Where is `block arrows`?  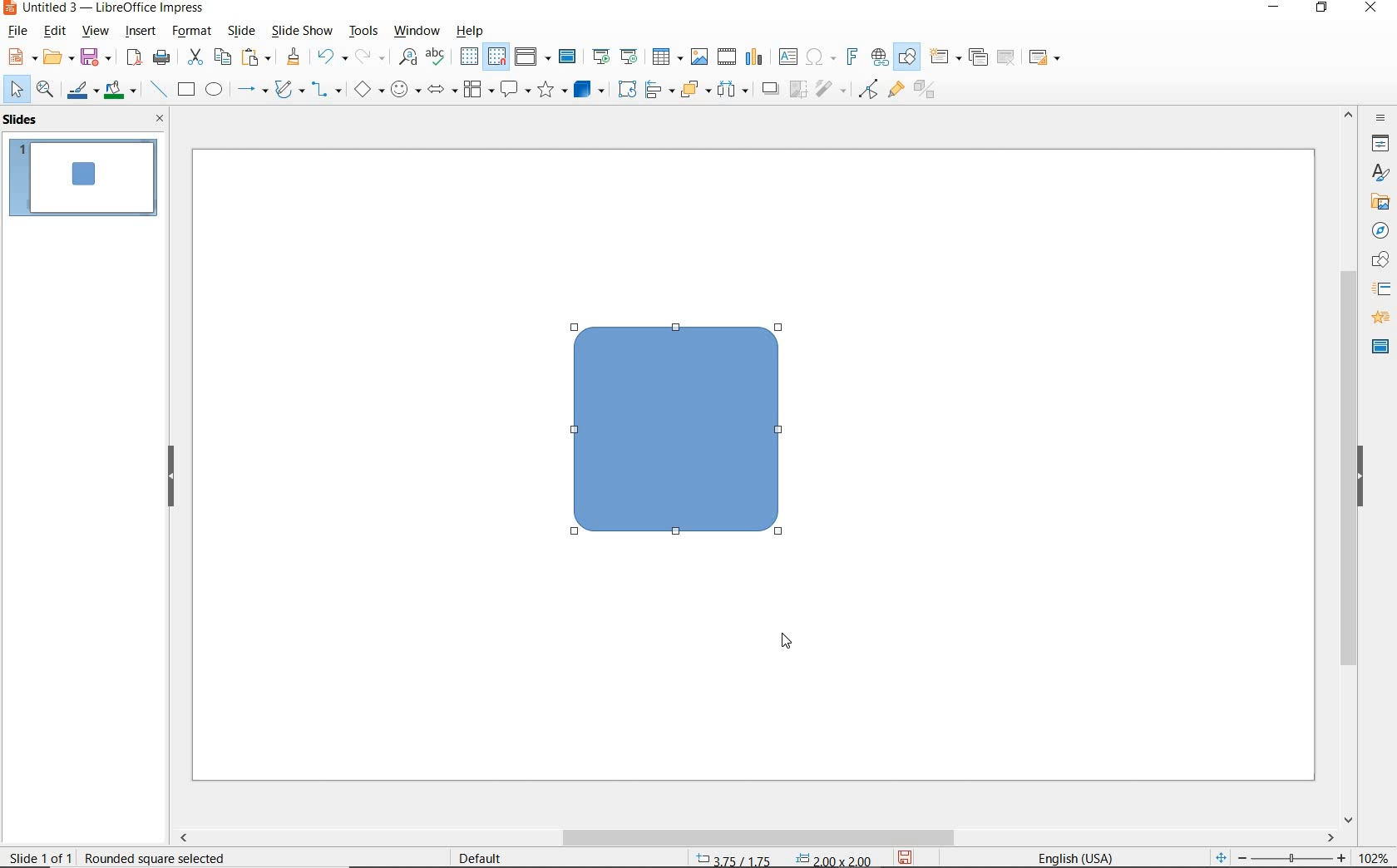 block arrows is located at coordinates (442, 91).